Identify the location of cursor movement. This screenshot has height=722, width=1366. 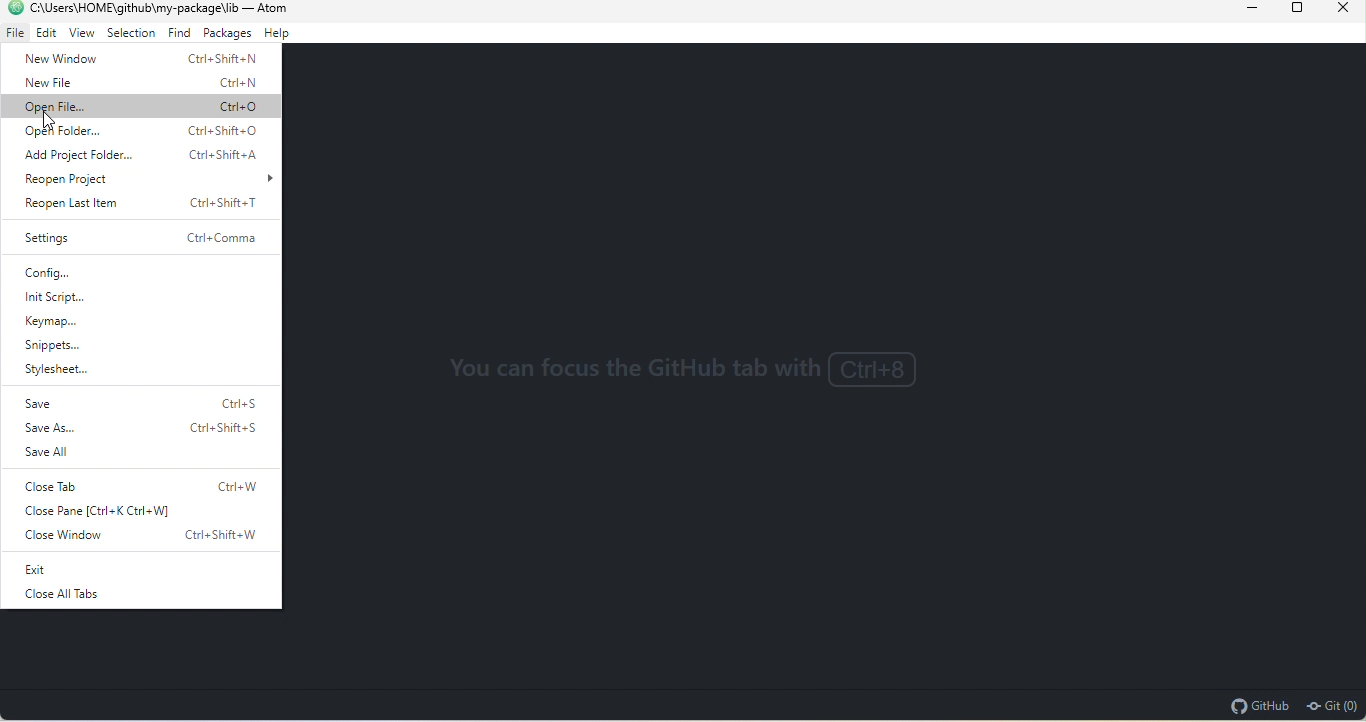
(53, 122).